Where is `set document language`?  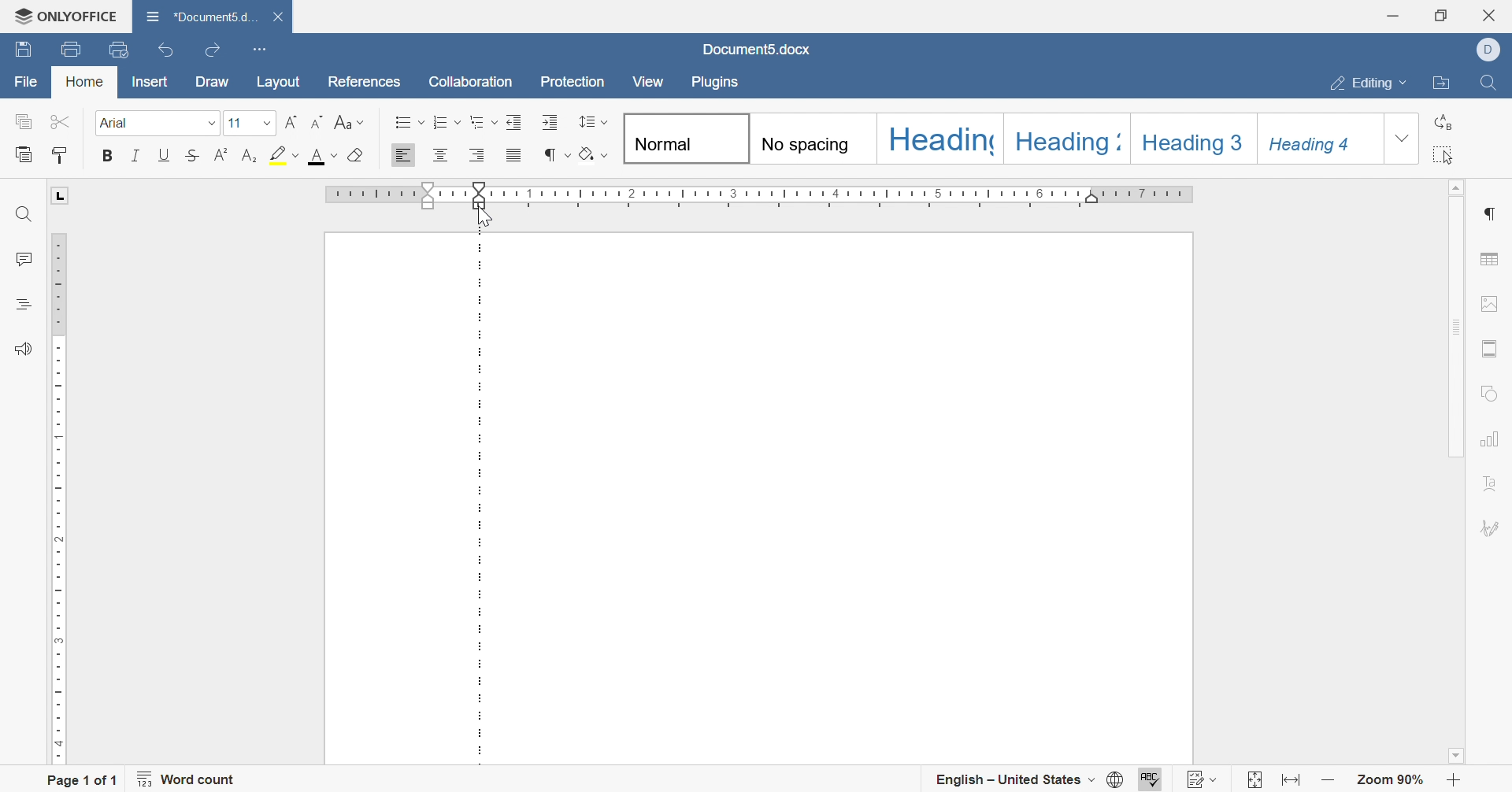 set document language is located at coordinates (1117, 779).